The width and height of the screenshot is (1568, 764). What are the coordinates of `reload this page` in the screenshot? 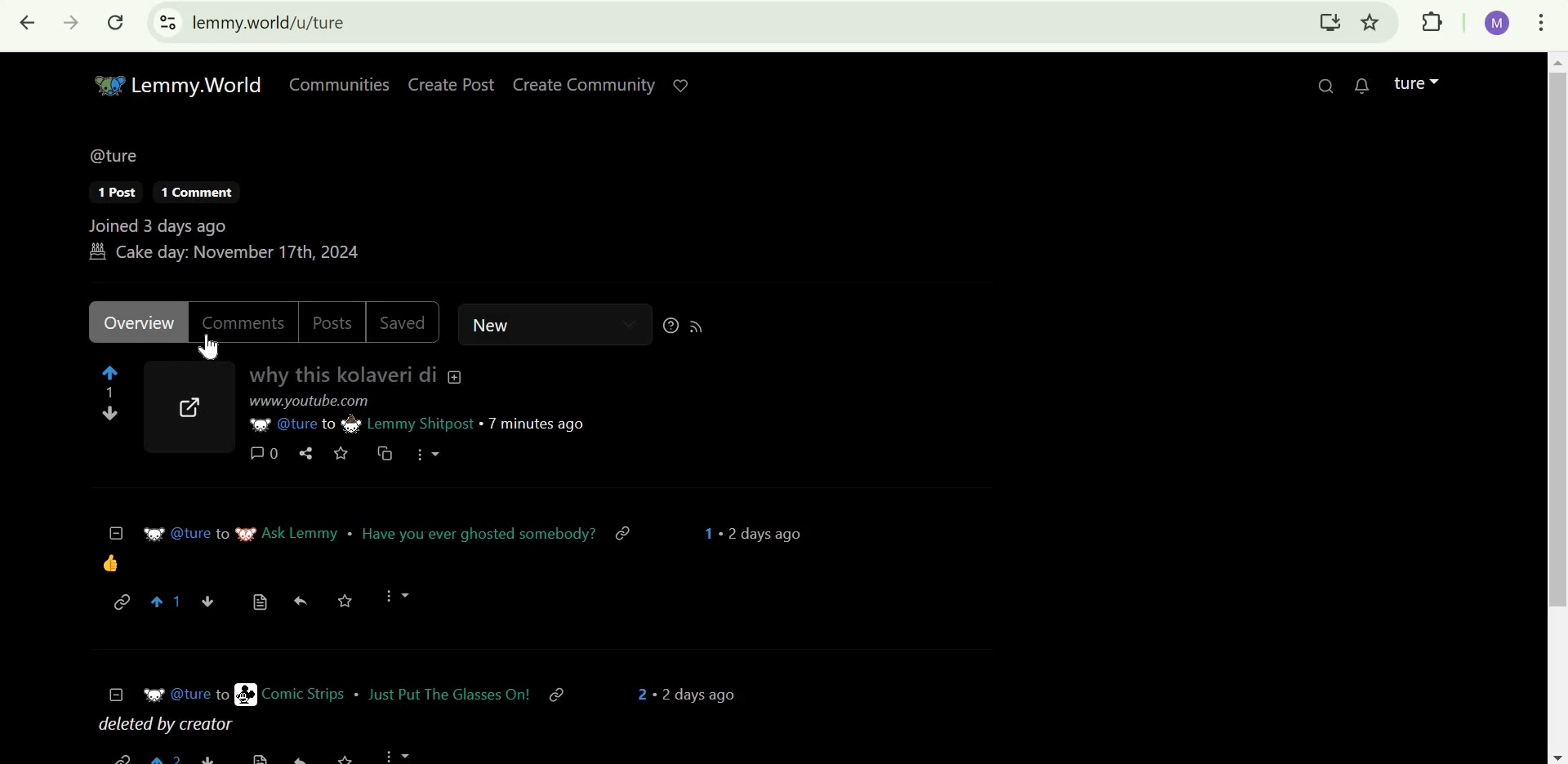 It's located at (116, 22).